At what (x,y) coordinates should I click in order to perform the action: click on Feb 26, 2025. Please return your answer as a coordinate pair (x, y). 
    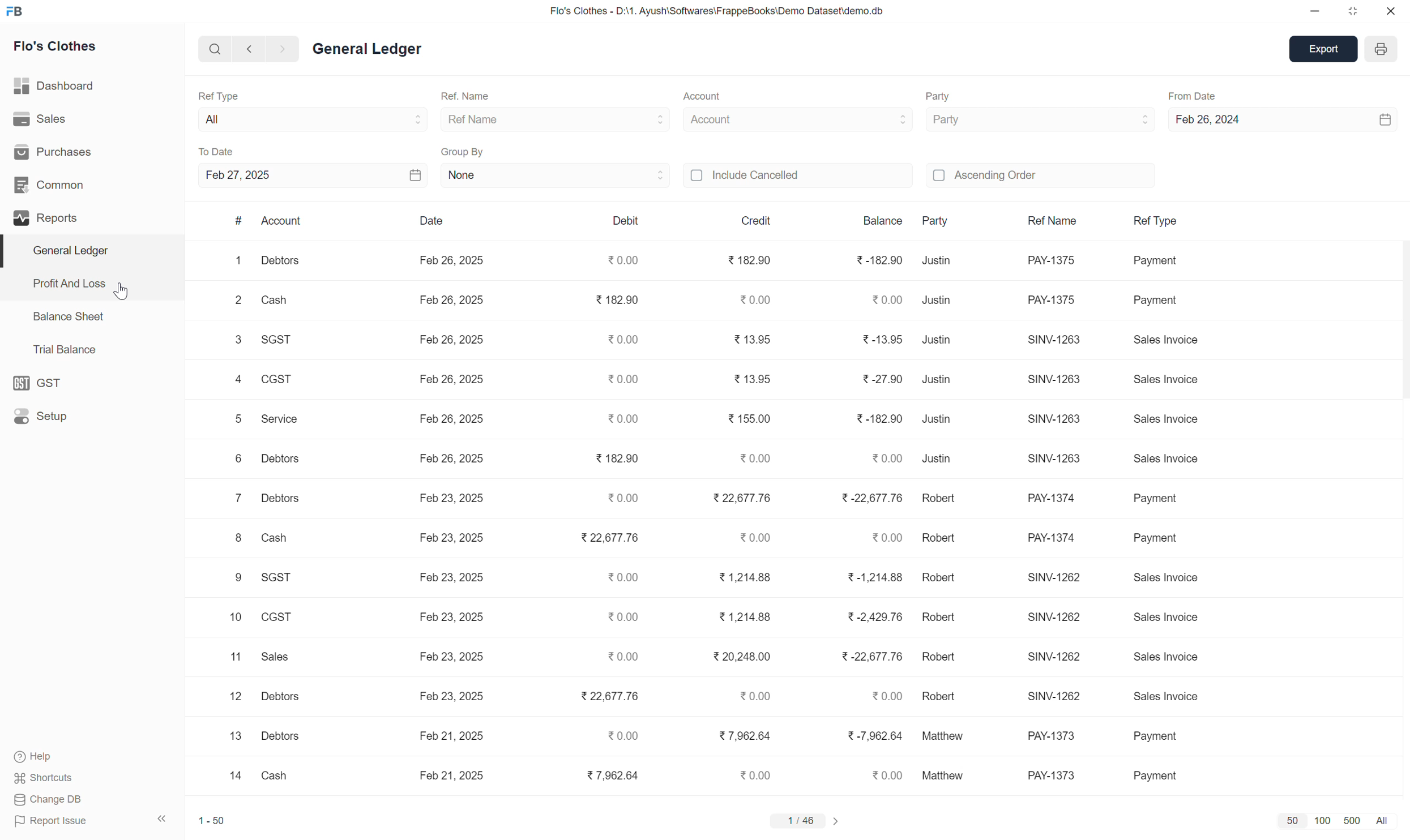
    Looking at the image, I should click on (453, 300).